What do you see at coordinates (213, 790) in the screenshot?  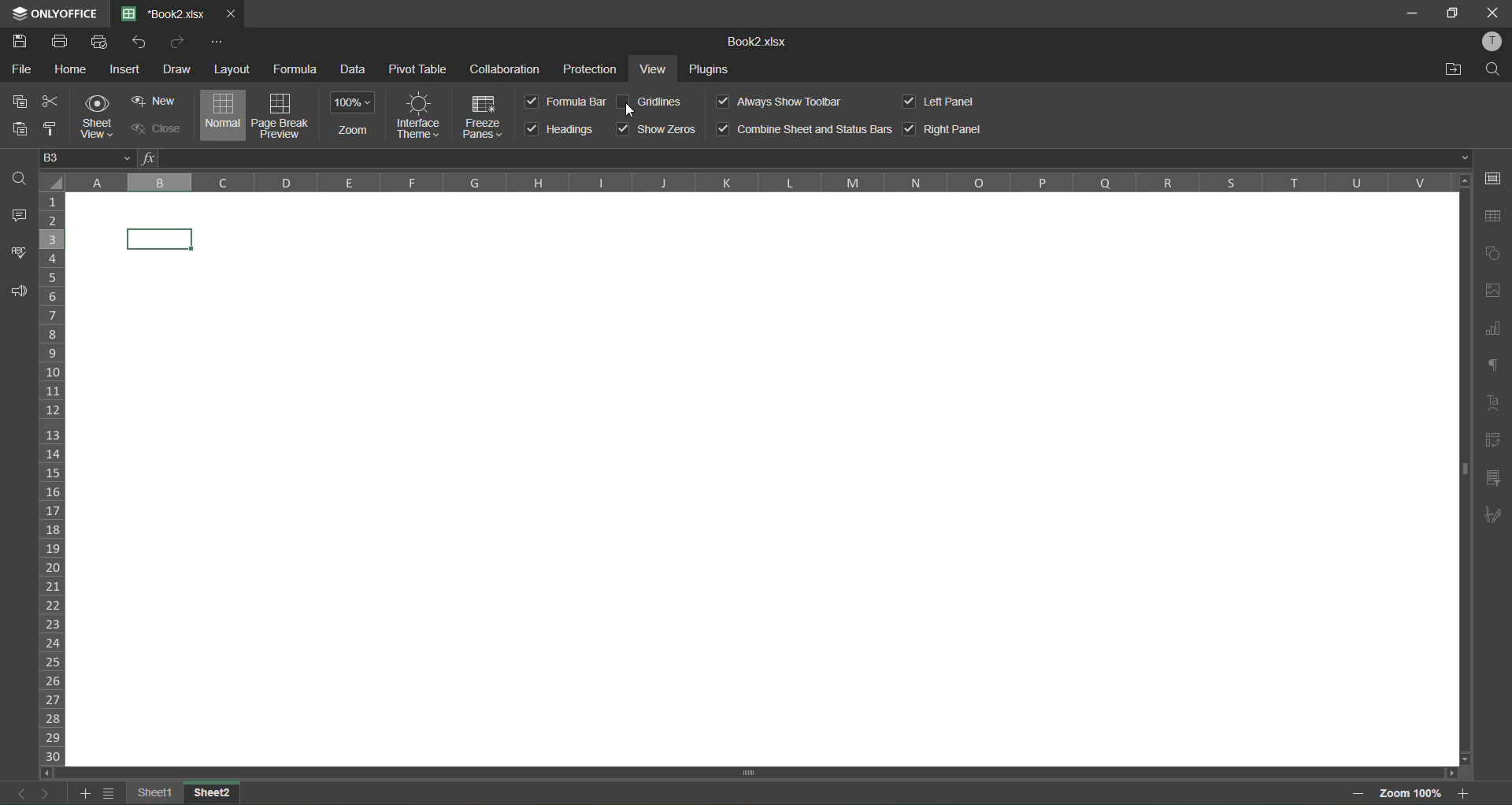 I see `sheet 2 ` at bounding box center [213, 790].